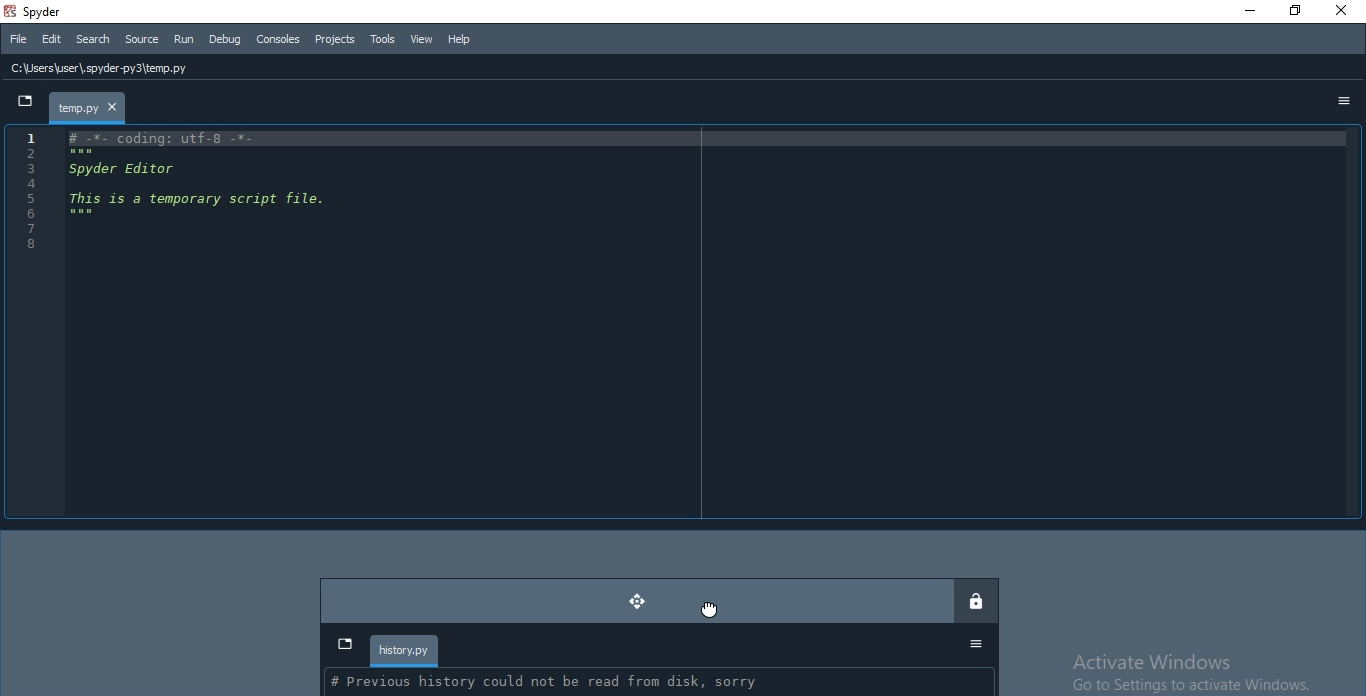  Describe the element at coordinates (404, 652) in the screenshot. I see `history.py` at that location.